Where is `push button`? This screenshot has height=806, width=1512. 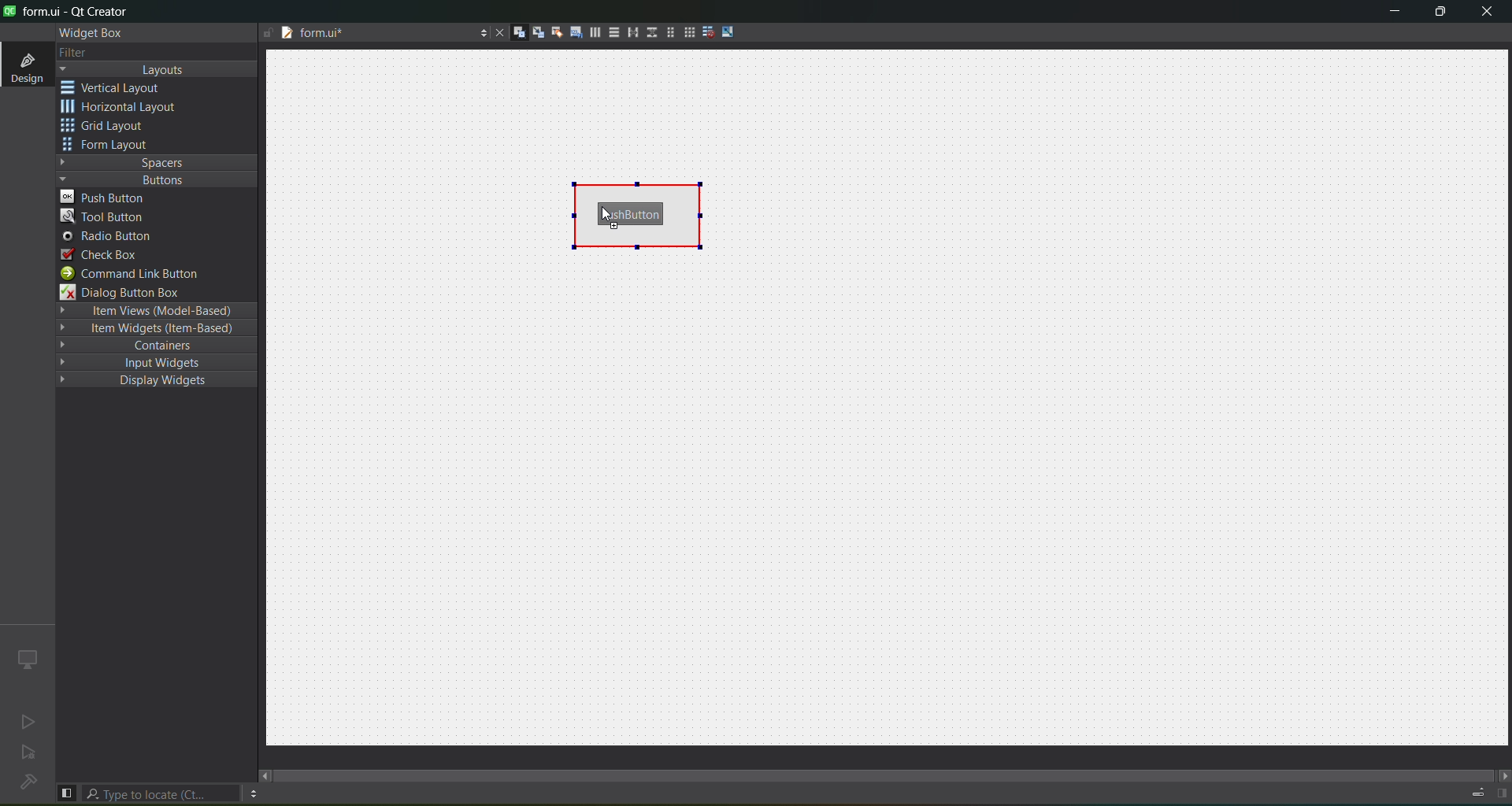 push button is located at coordinates (634, 209).